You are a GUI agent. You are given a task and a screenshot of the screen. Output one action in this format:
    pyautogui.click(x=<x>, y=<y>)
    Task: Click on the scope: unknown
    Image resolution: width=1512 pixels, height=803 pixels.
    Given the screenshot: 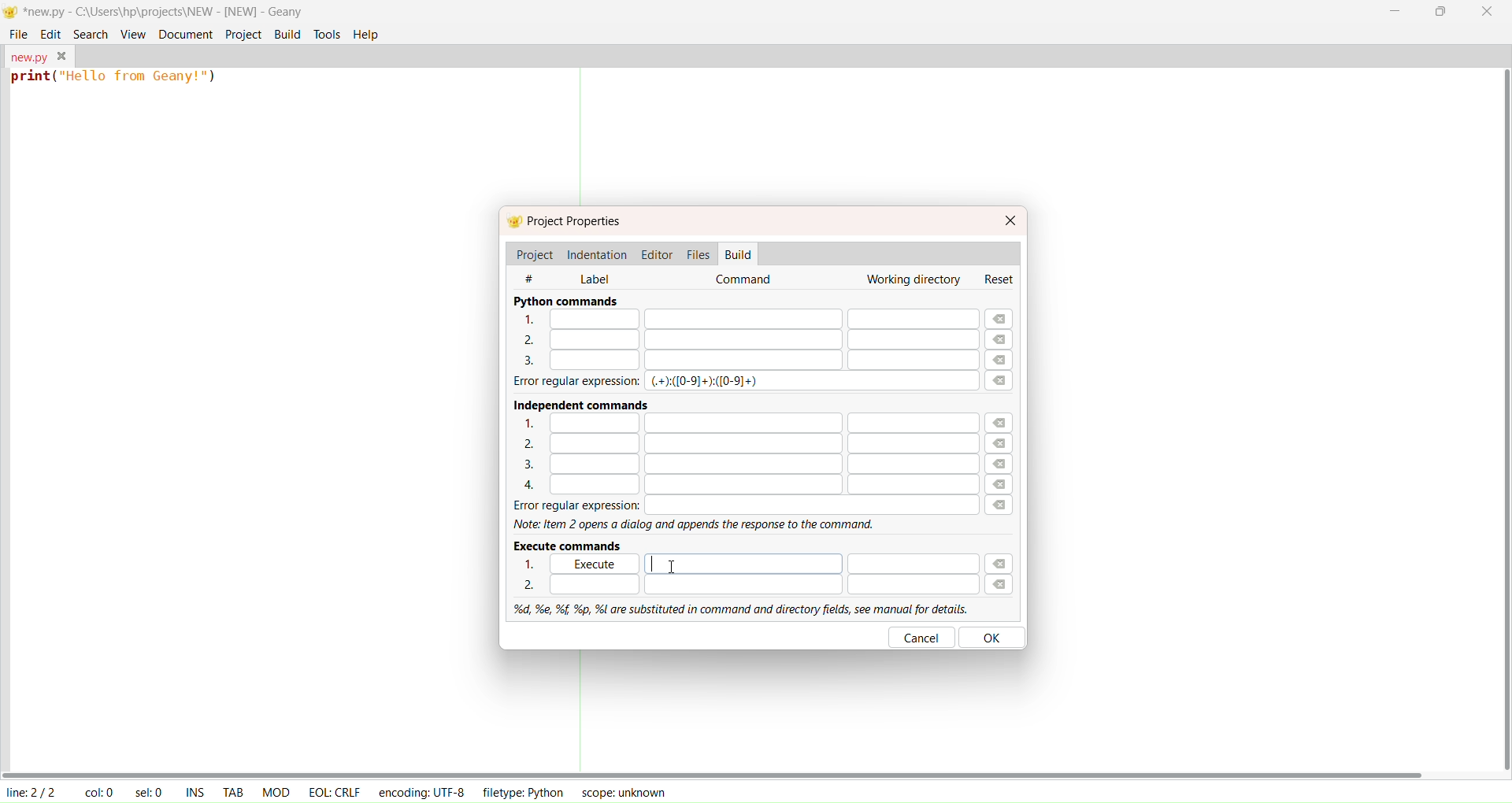 What is the action you would take?
    pyautogui.click(x=621, y=792)
    